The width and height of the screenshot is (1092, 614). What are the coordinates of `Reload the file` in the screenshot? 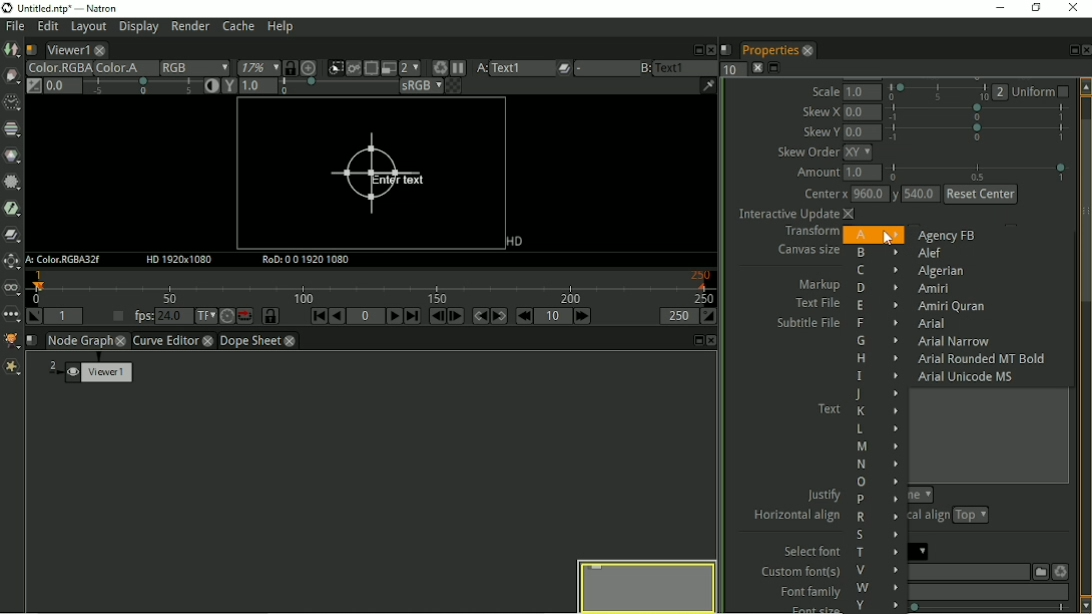 It's located at (1060, 570).